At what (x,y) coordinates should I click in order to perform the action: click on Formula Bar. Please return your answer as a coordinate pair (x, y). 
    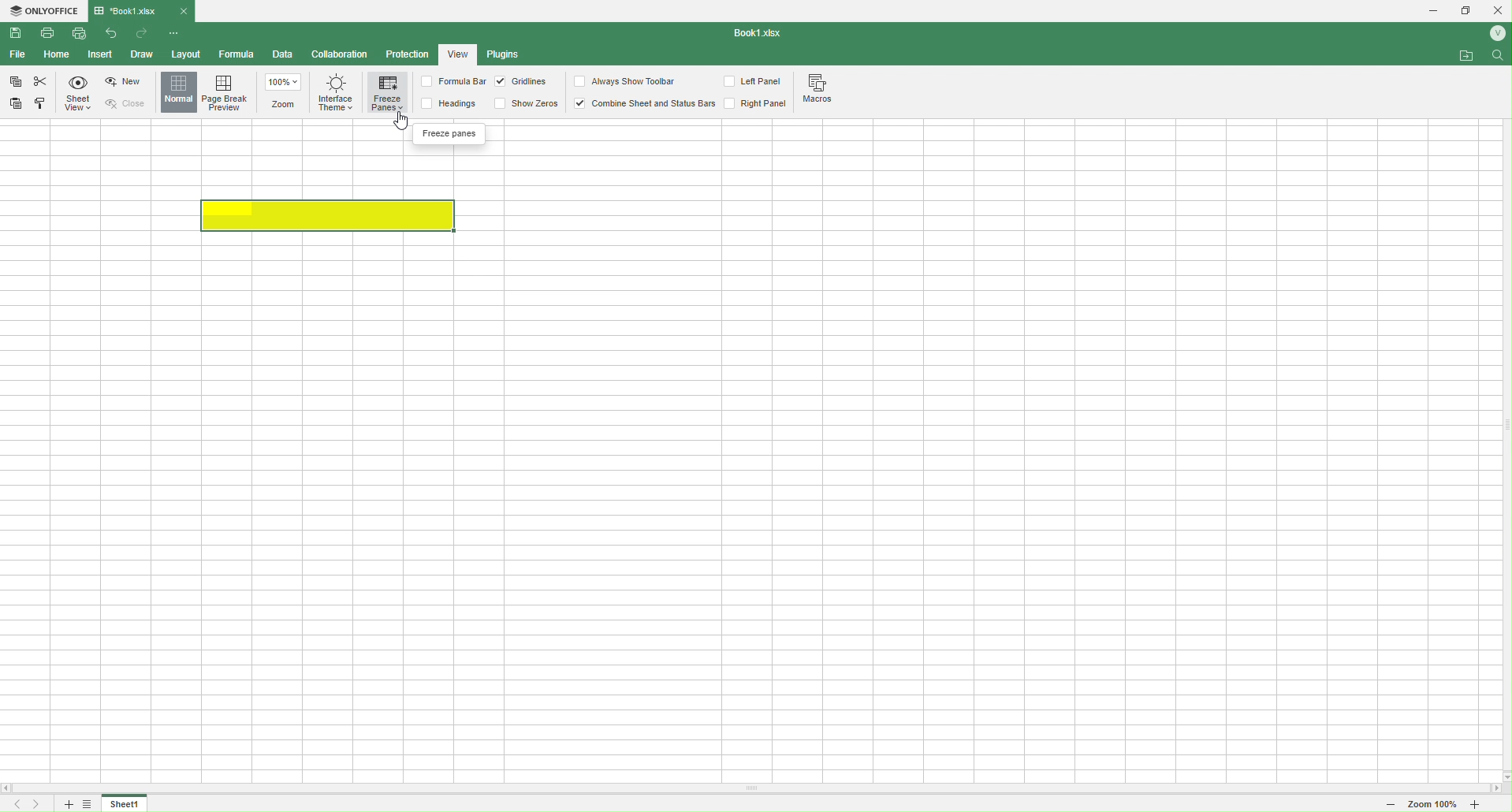
    Looking at the image, I should click on (452, 82).